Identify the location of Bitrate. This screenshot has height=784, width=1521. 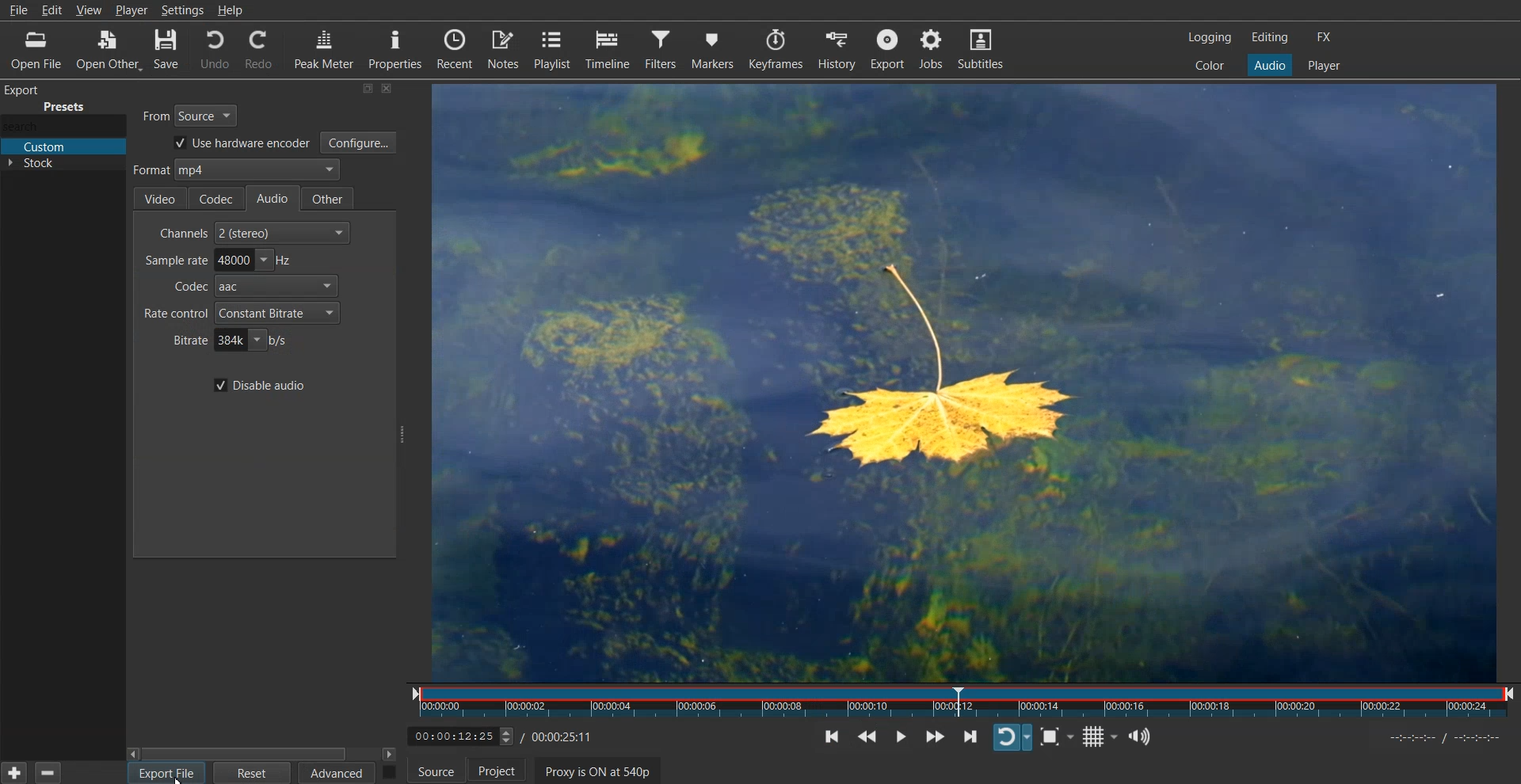
(230, 341).